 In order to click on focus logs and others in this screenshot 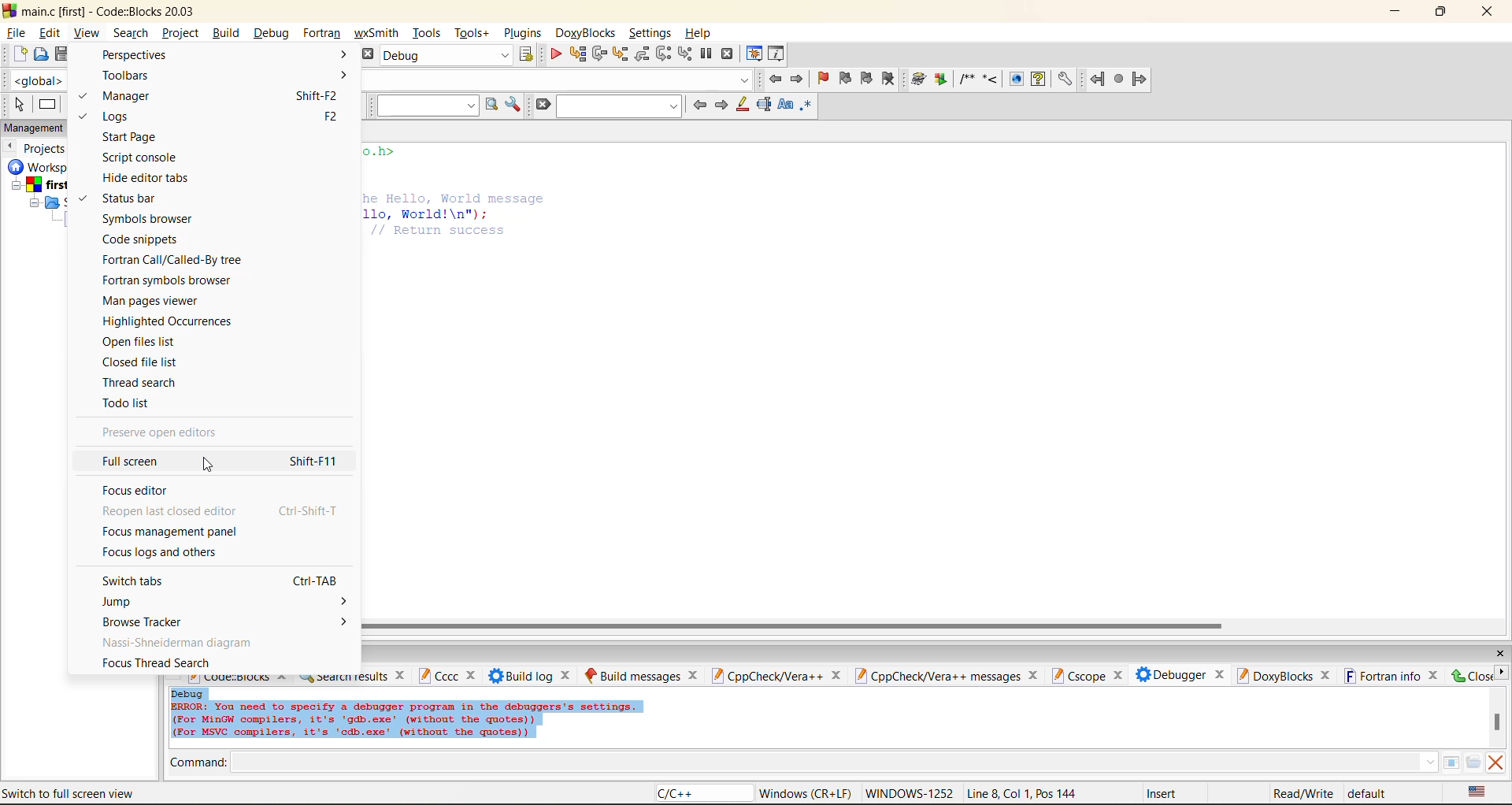, I will do `click(162, 554)`.